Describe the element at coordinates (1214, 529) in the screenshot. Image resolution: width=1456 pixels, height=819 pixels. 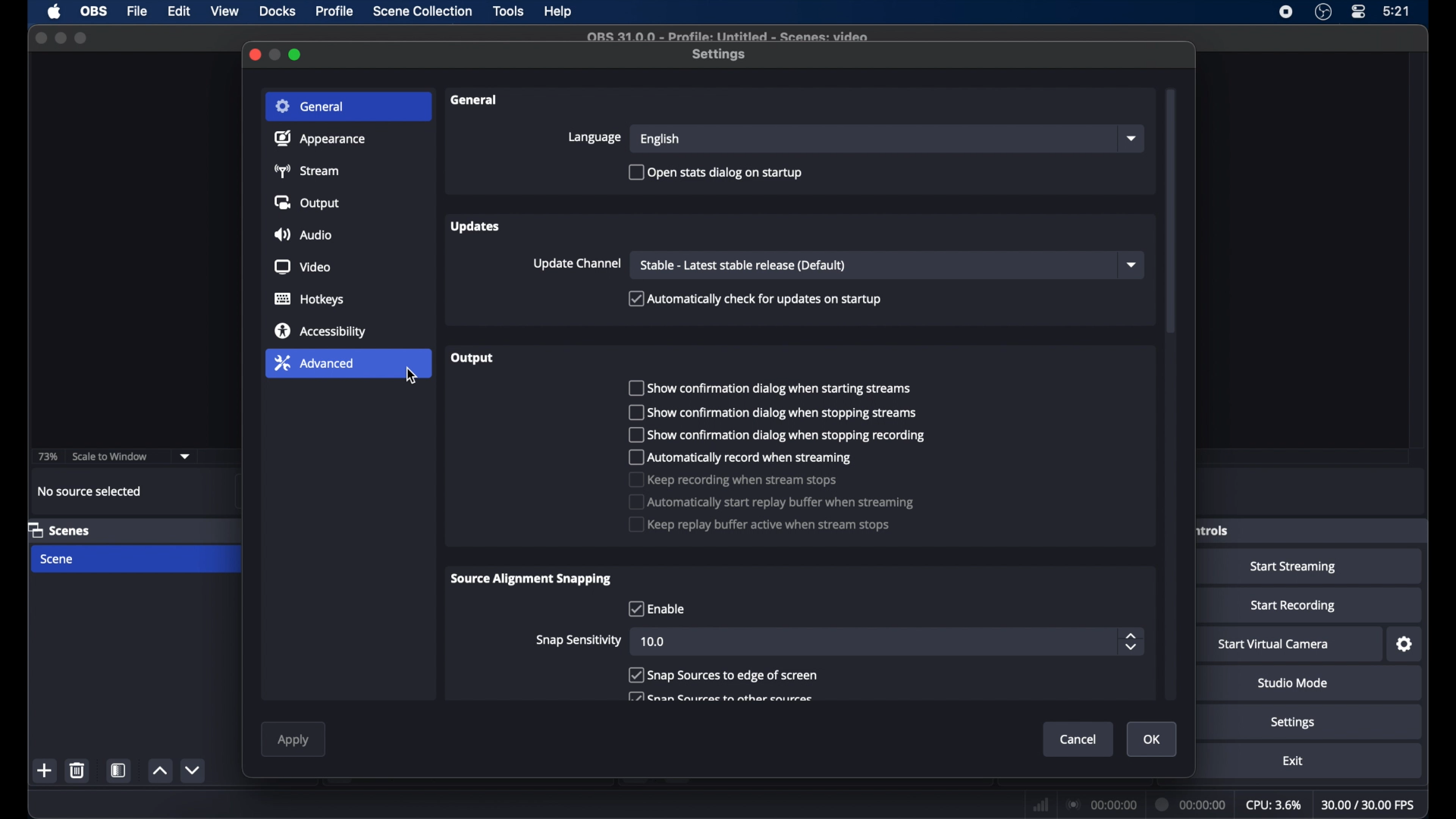
I see `obscure label` at that location.